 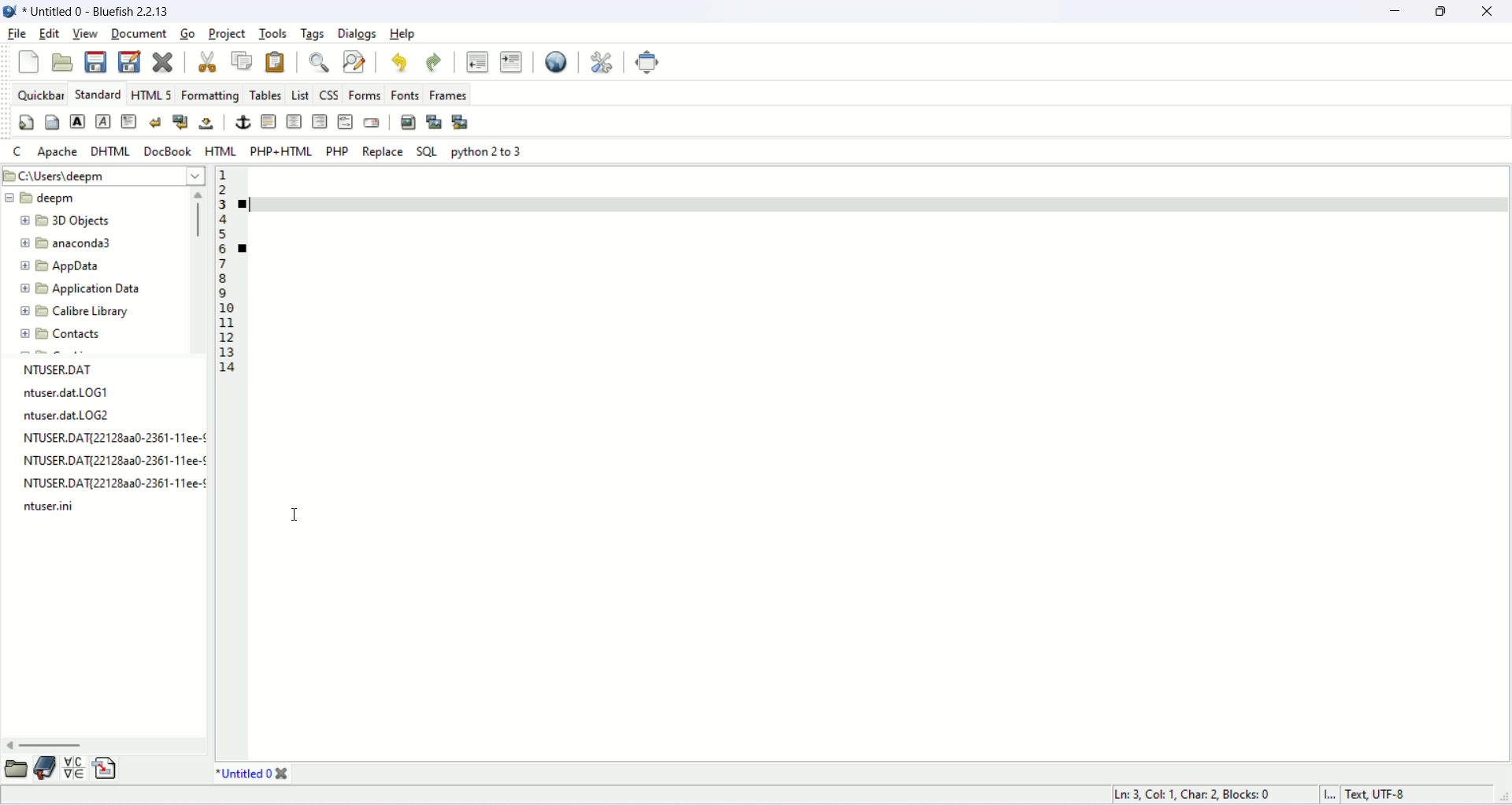 I want to click on help, so click(x=405, y=34).